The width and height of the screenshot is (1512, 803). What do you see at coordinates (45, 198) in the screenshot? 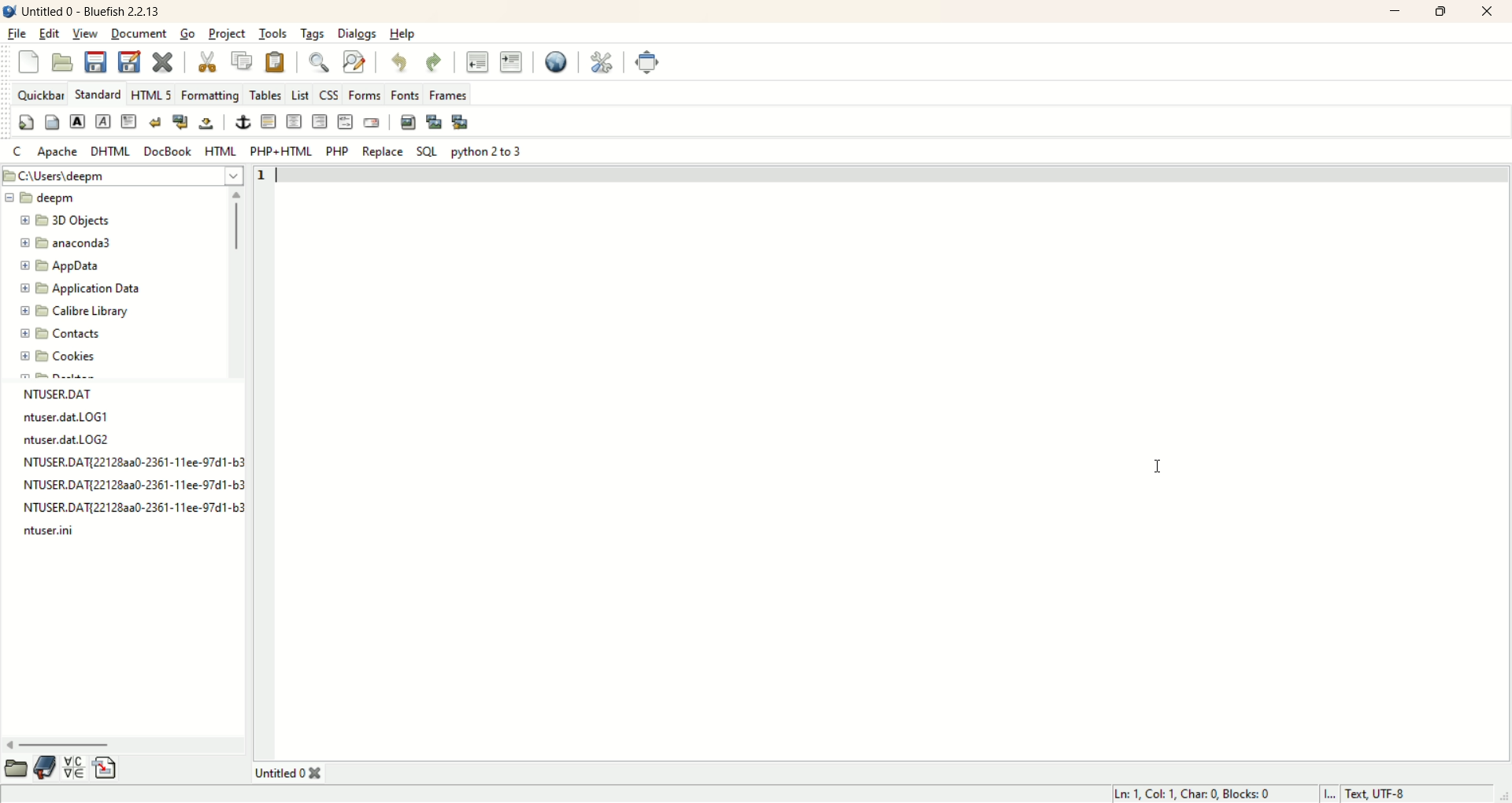
I see `deepm` at bounding box center [45, 198].